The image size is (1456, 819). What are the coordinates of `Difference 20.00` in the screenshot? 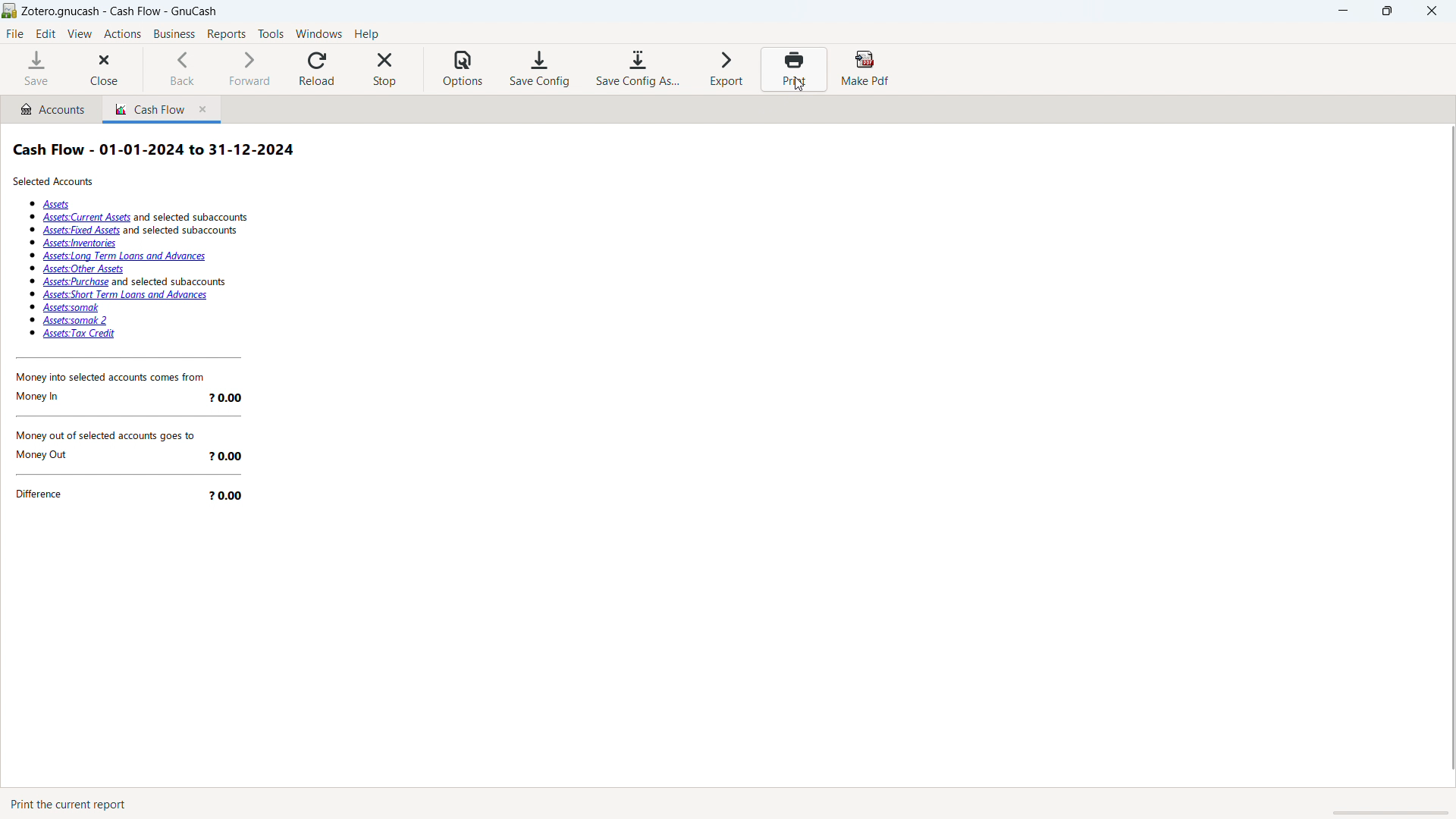 It's located at (136, 497).